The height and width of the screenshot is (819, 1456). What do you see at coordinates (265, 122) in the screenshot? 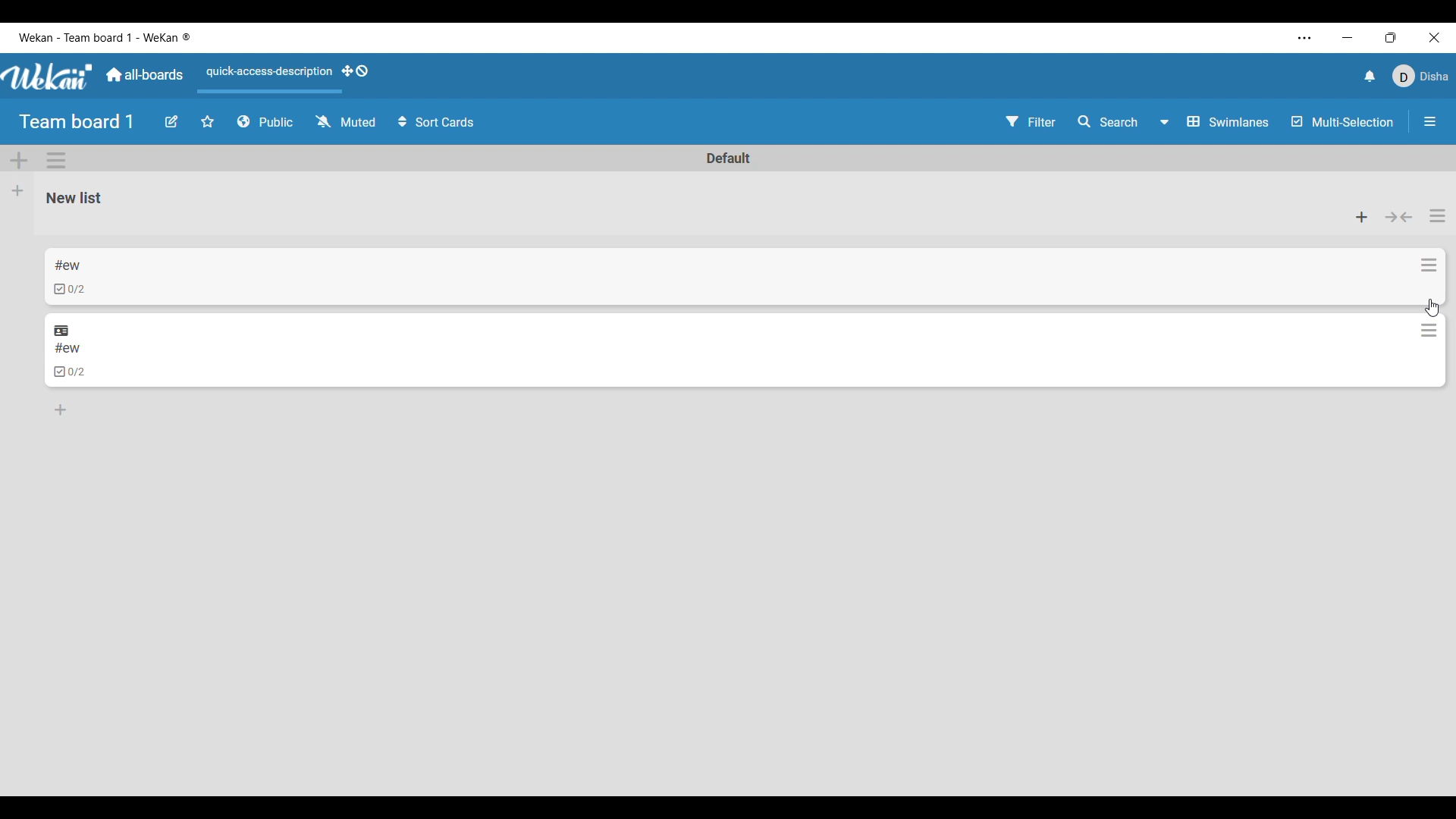
I see `Board privacy options` at bounding box center [265, 122].